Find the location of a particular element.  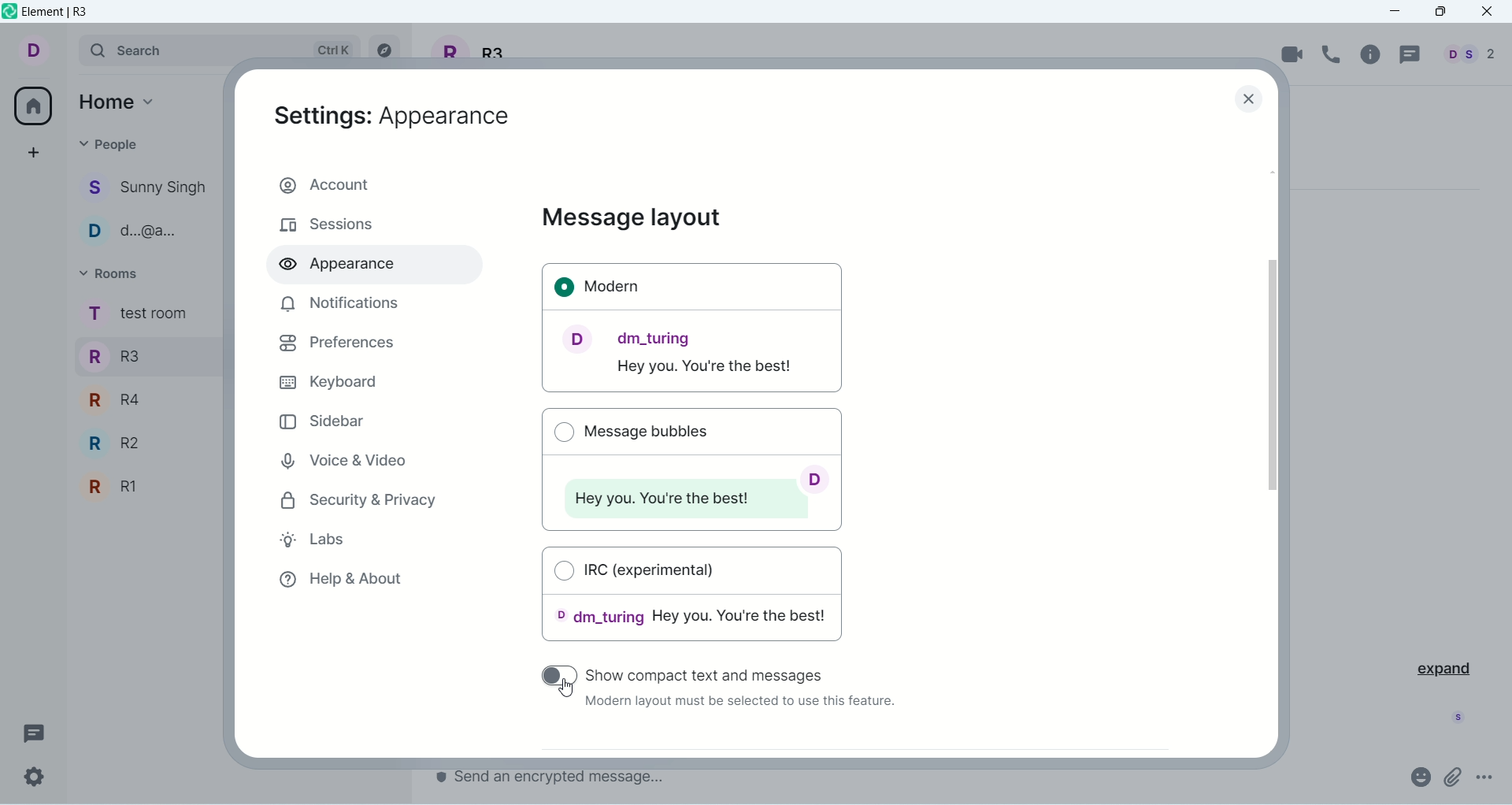

emoji is located at coordinates (1419, 776).